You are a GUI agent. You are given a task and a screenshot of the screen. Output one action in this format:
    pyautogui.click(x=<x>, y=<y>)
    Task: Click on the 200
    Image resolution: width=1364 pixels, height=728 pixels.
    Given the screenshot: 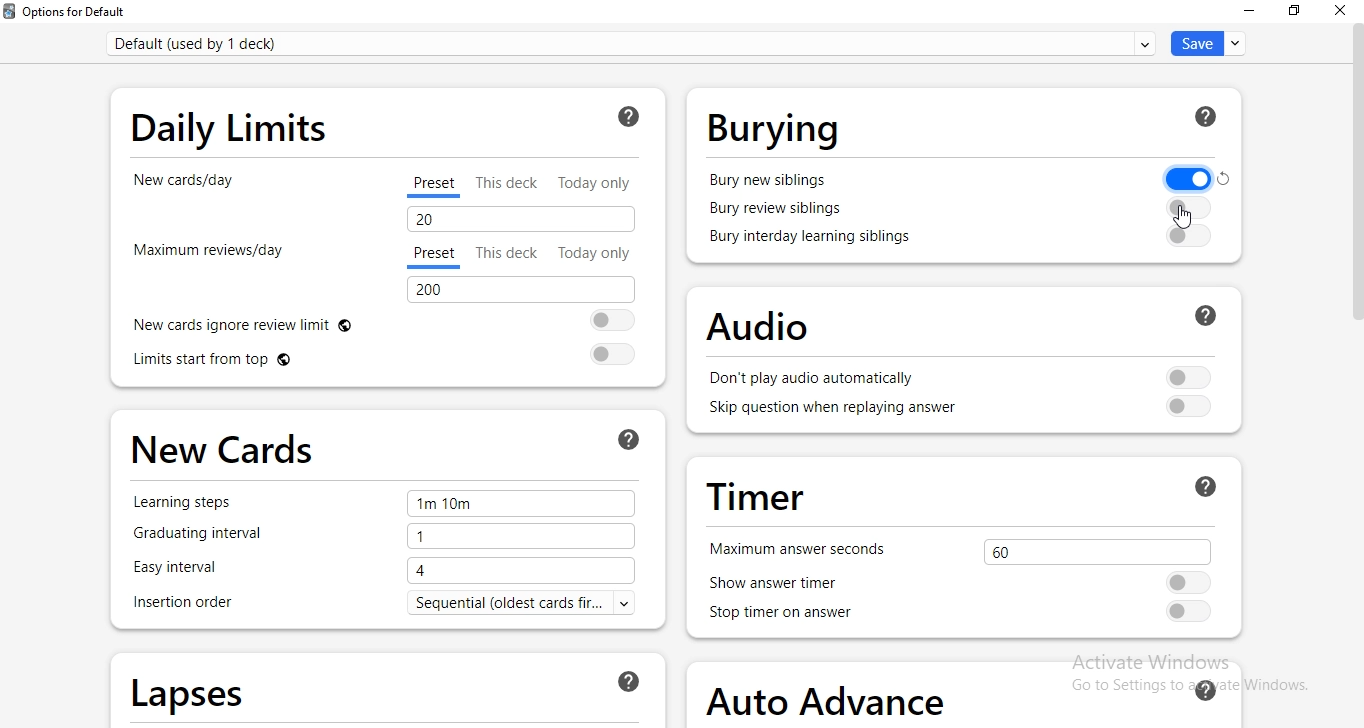 What is the action you would take?
    pyautogui.click(x=519, y=291)
    